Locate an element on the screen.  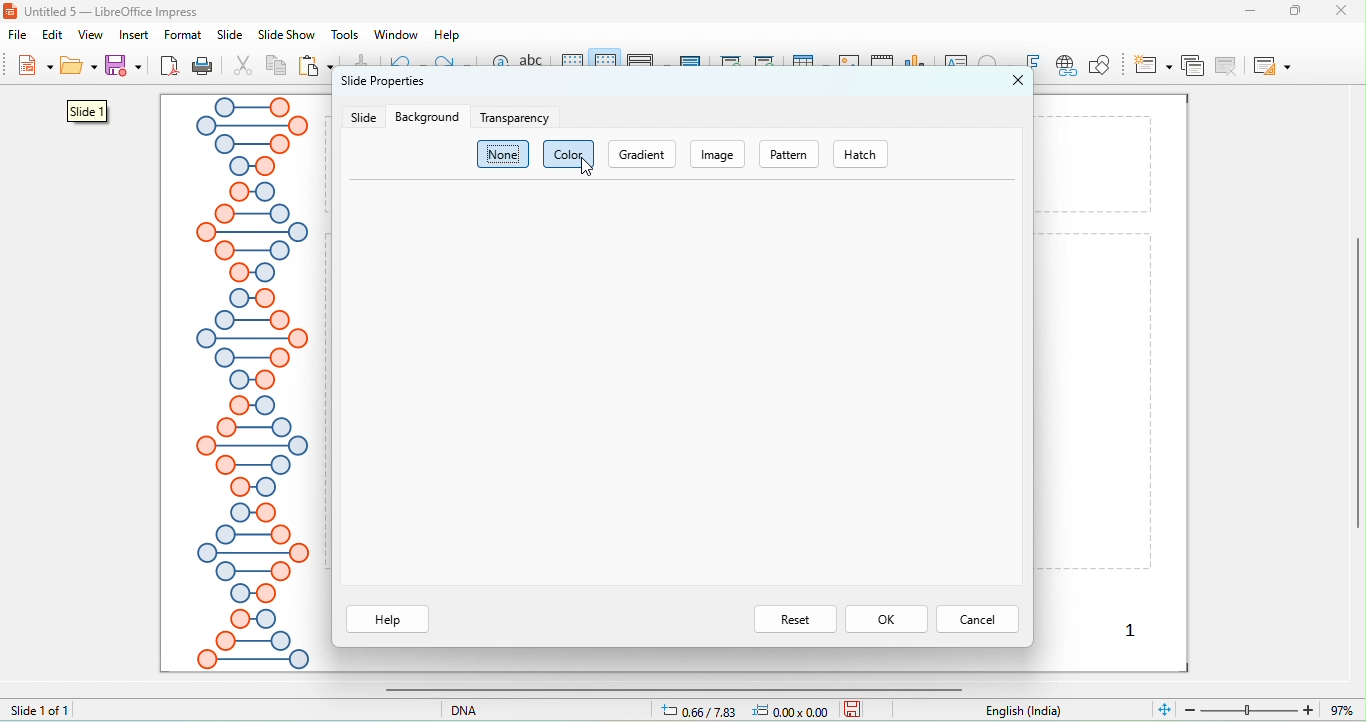
new is located at coordinates (33, 68).